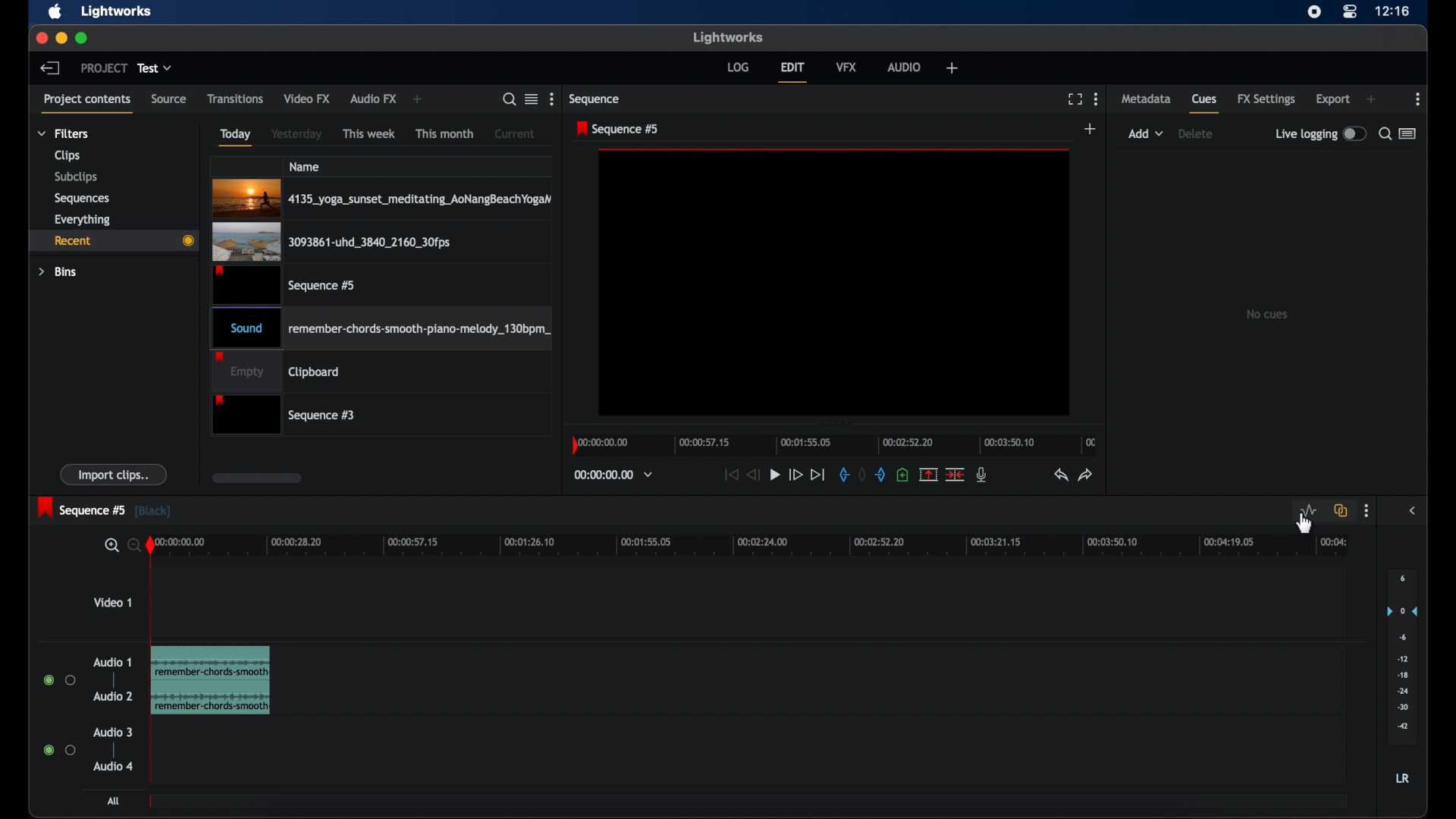 This screenshot has width=1456, height=819. I want to click on lightworks, so click(730, 38).